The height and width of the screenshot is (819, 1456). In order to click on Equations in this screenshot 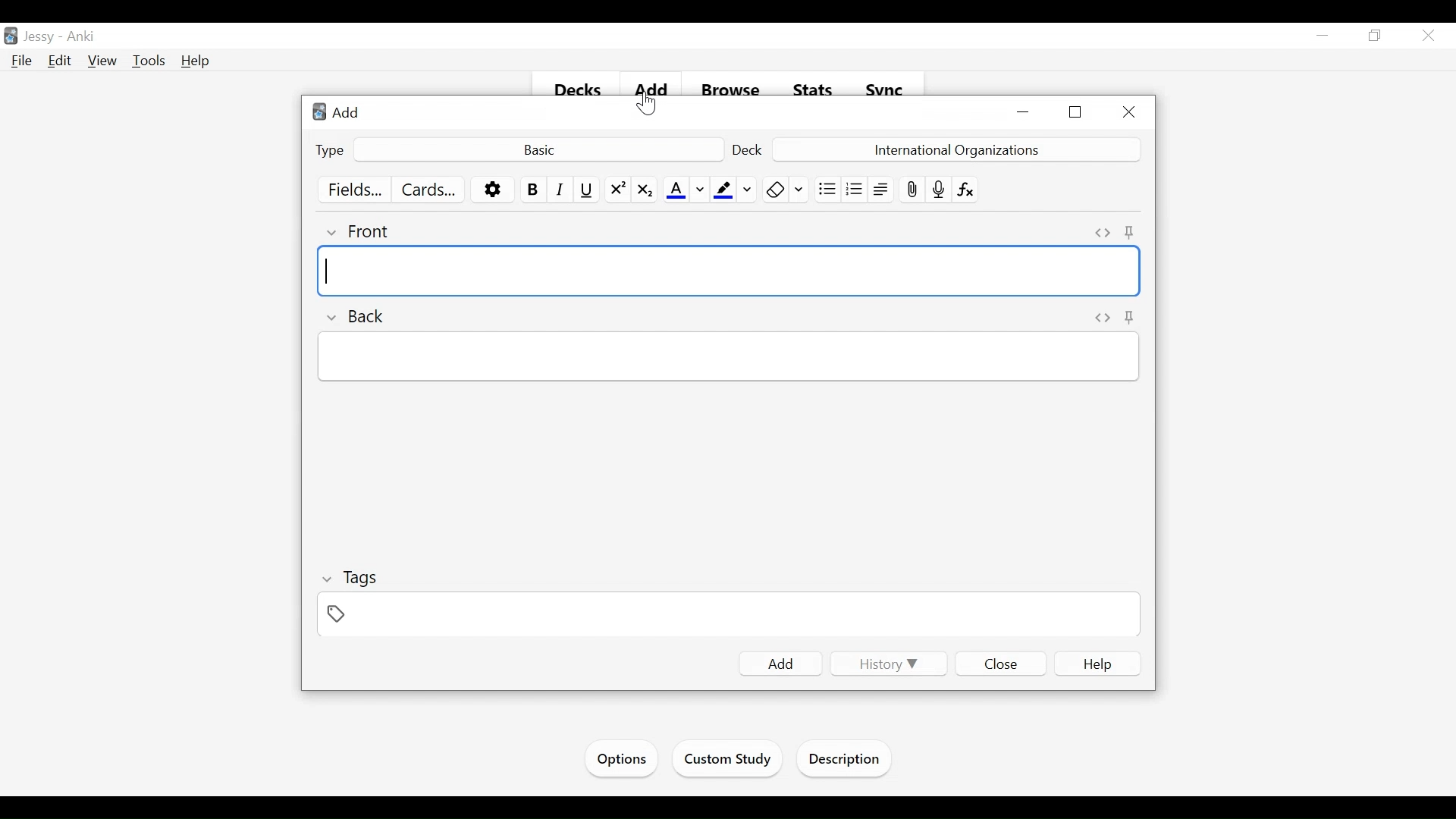, I will do `click(964, 190)`.